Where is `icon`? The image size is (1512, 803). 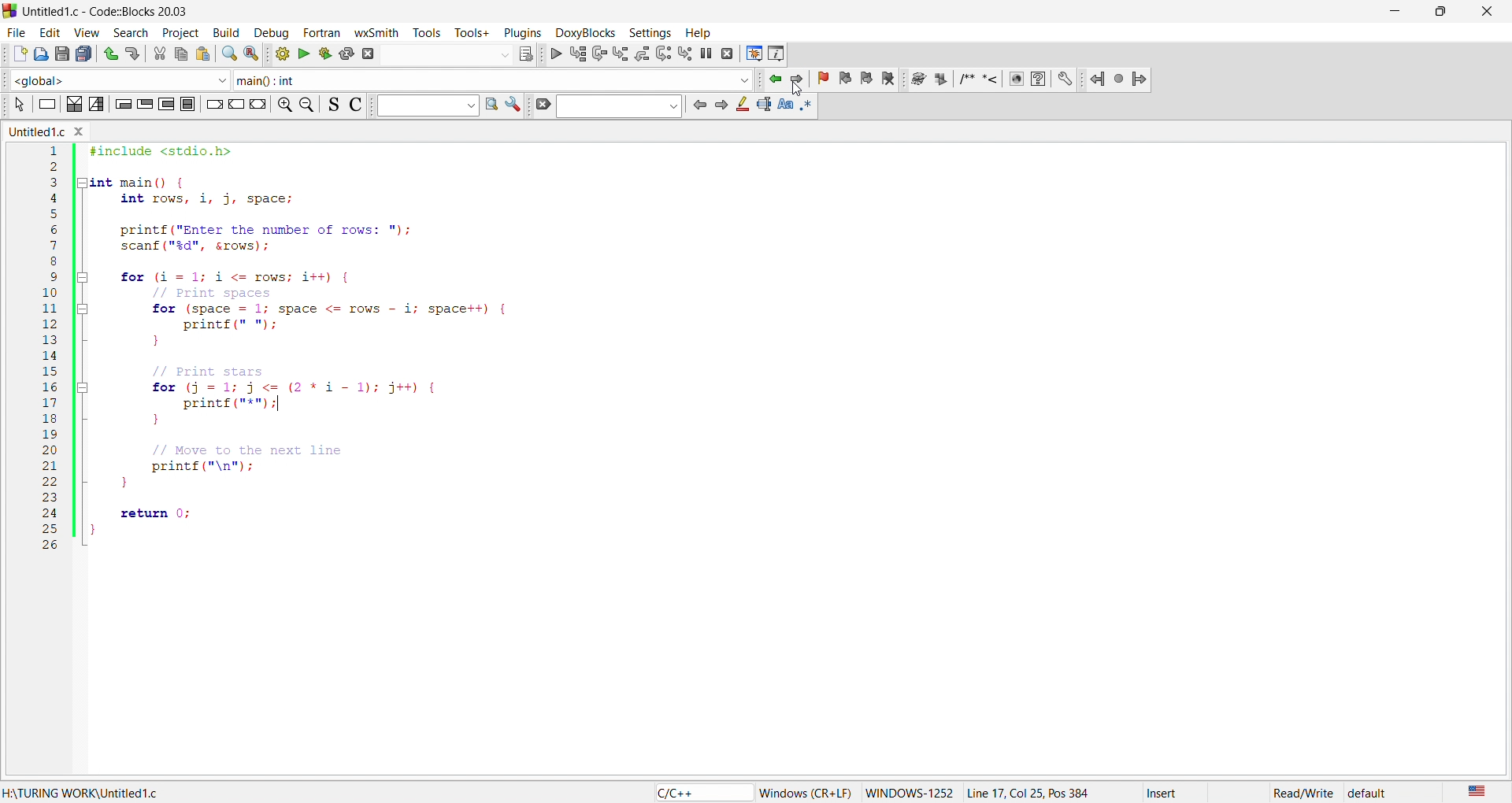 icon is located at coordinates (19, 106).